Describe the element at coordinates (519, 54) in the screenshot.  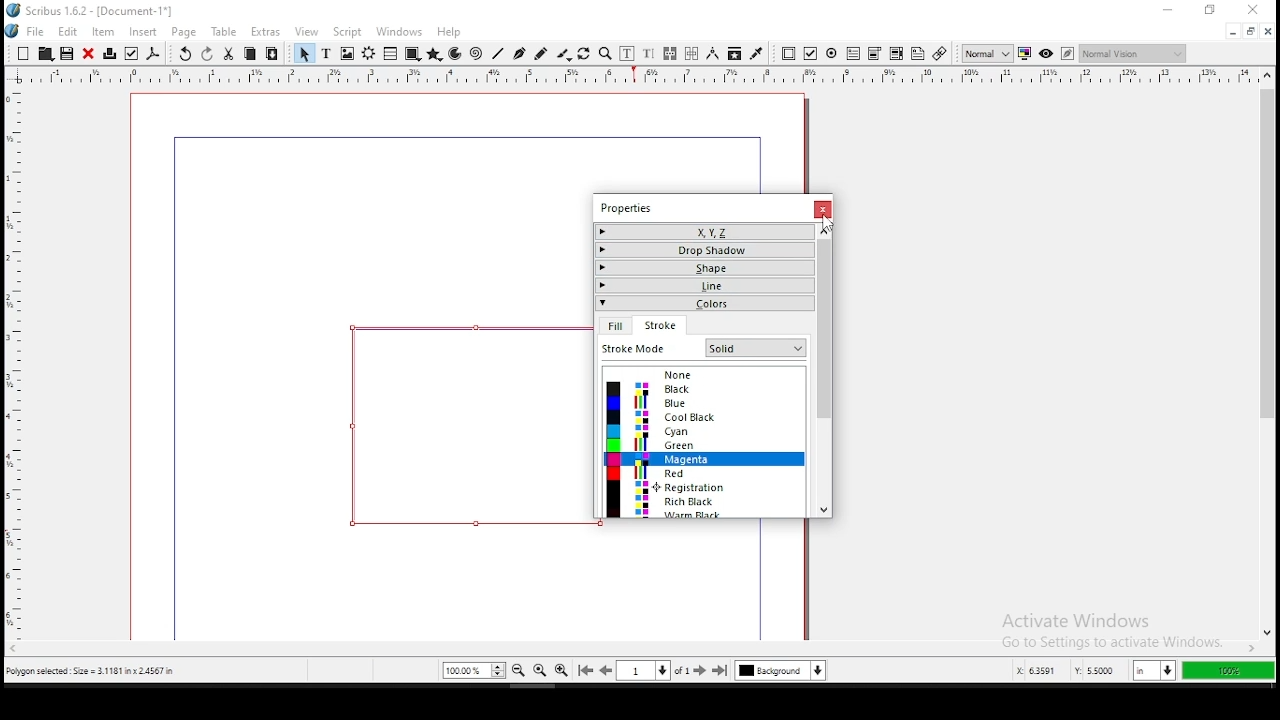
I see `bezier curve` at that location.